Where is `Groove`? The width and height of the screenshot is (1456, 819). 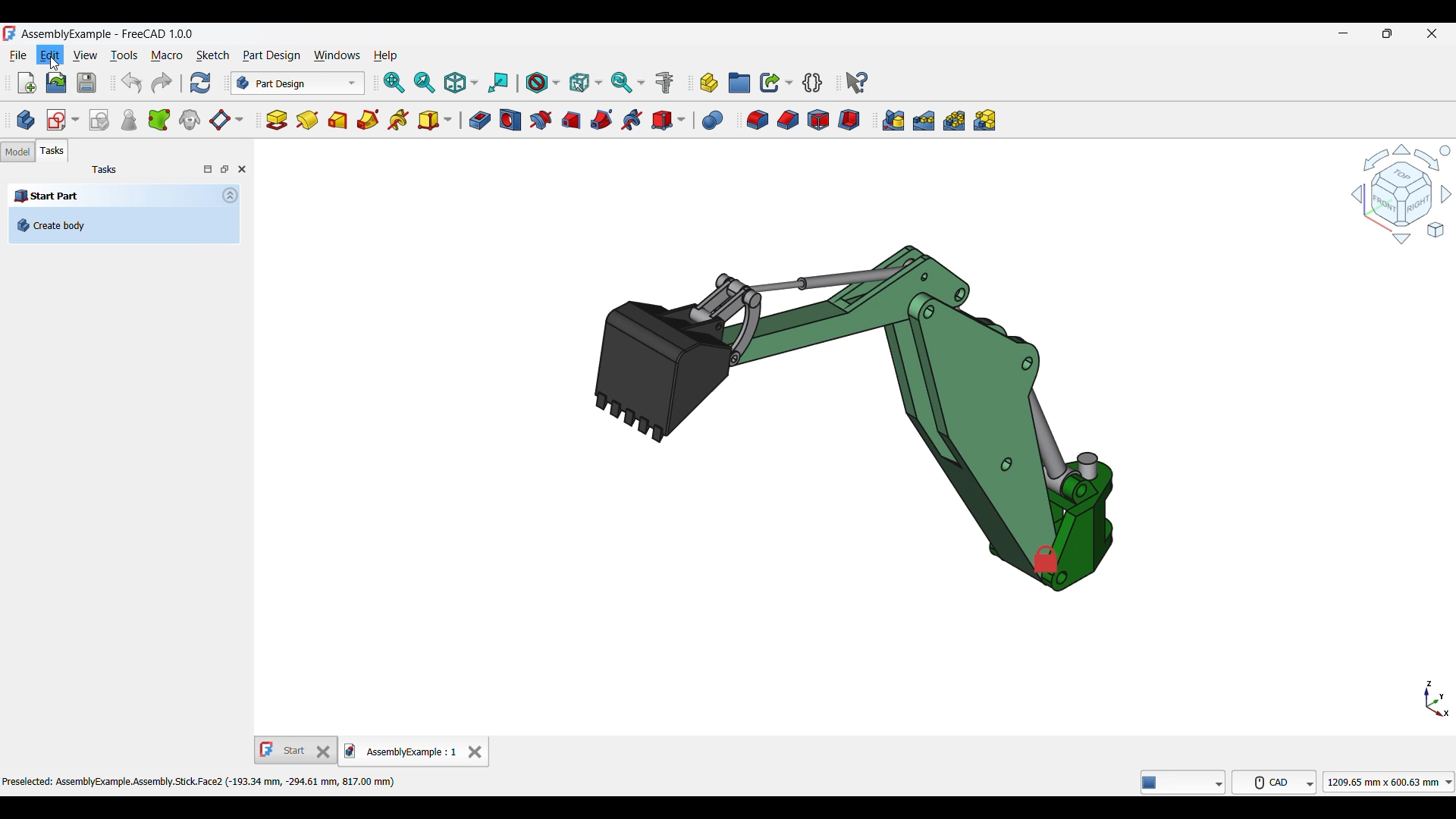
Groove is located at coordinates (541, 120).